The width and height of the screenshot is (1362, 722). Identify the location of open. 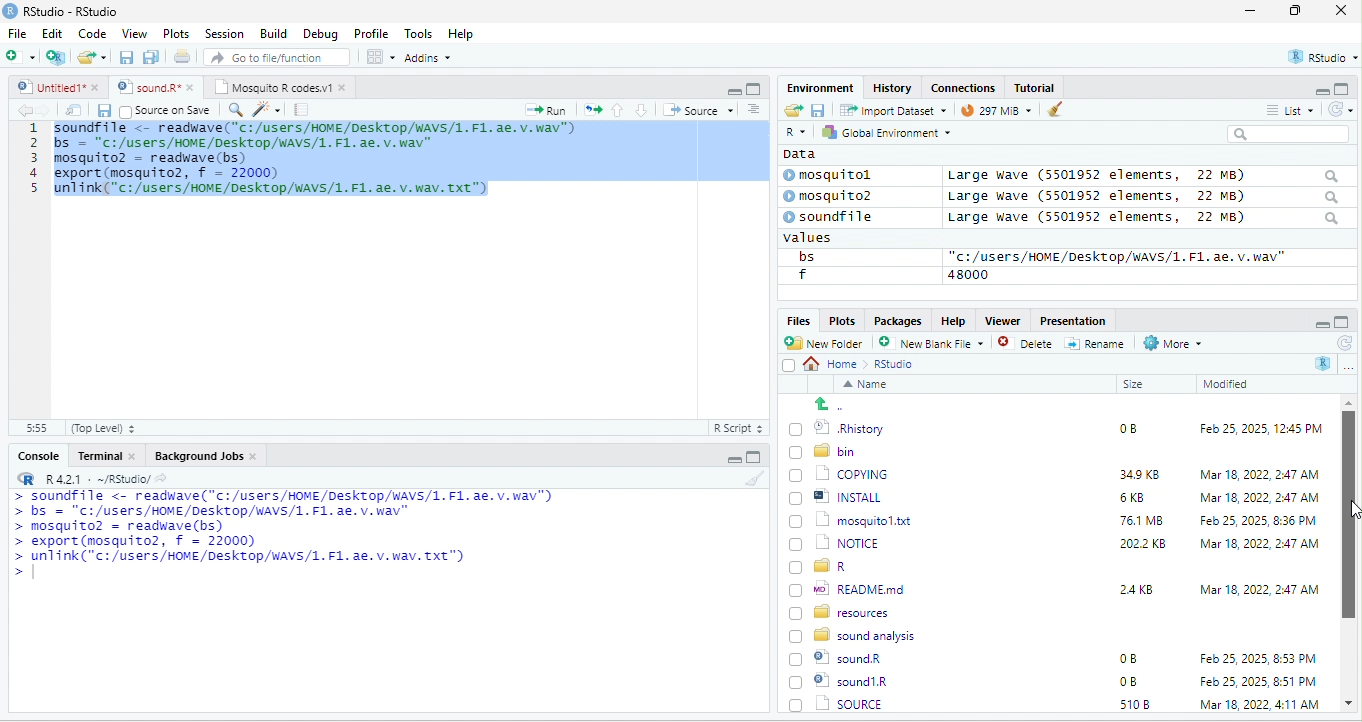
(184, 59).